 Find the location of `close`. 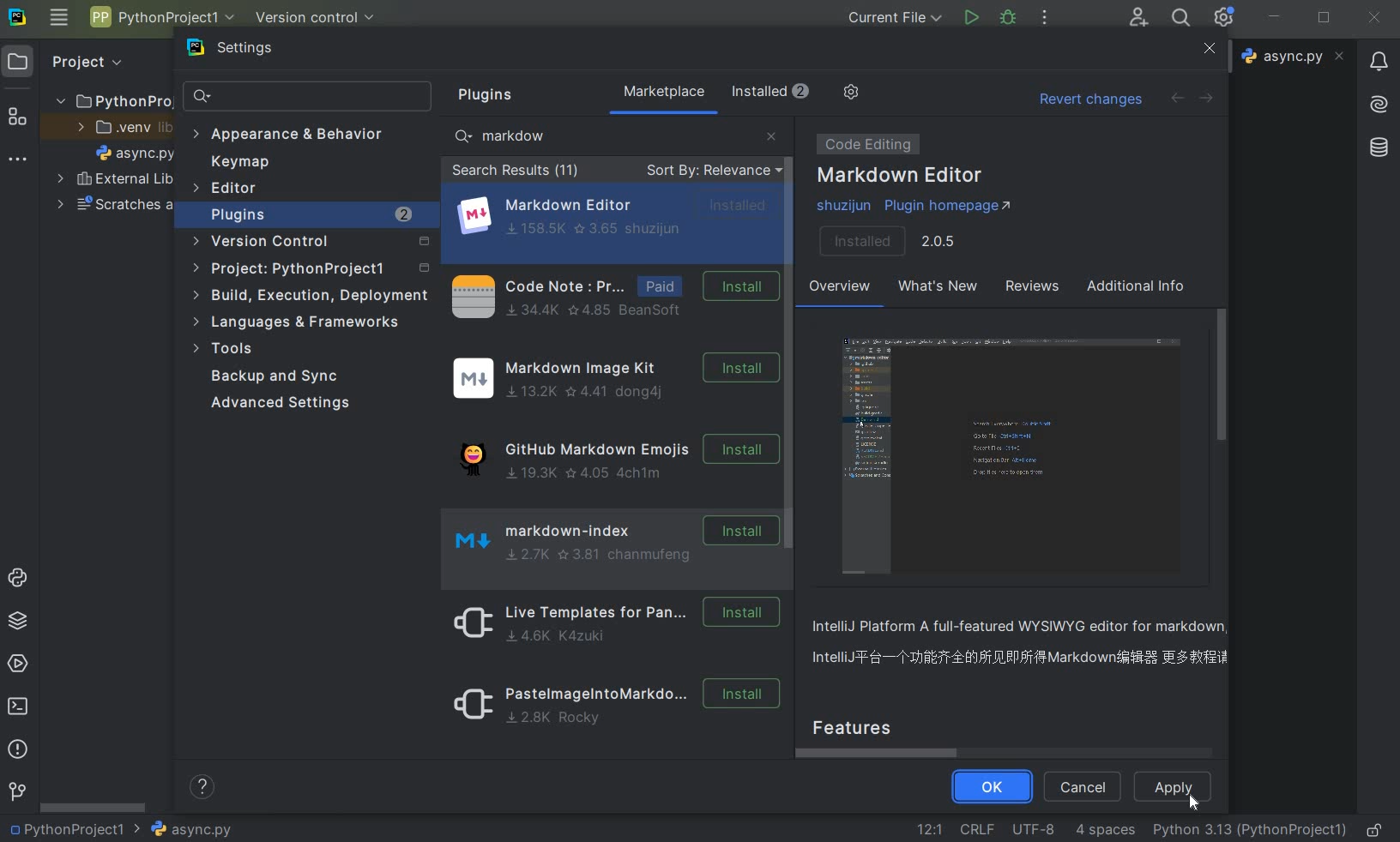

close is located at coordinates (1209, 49).